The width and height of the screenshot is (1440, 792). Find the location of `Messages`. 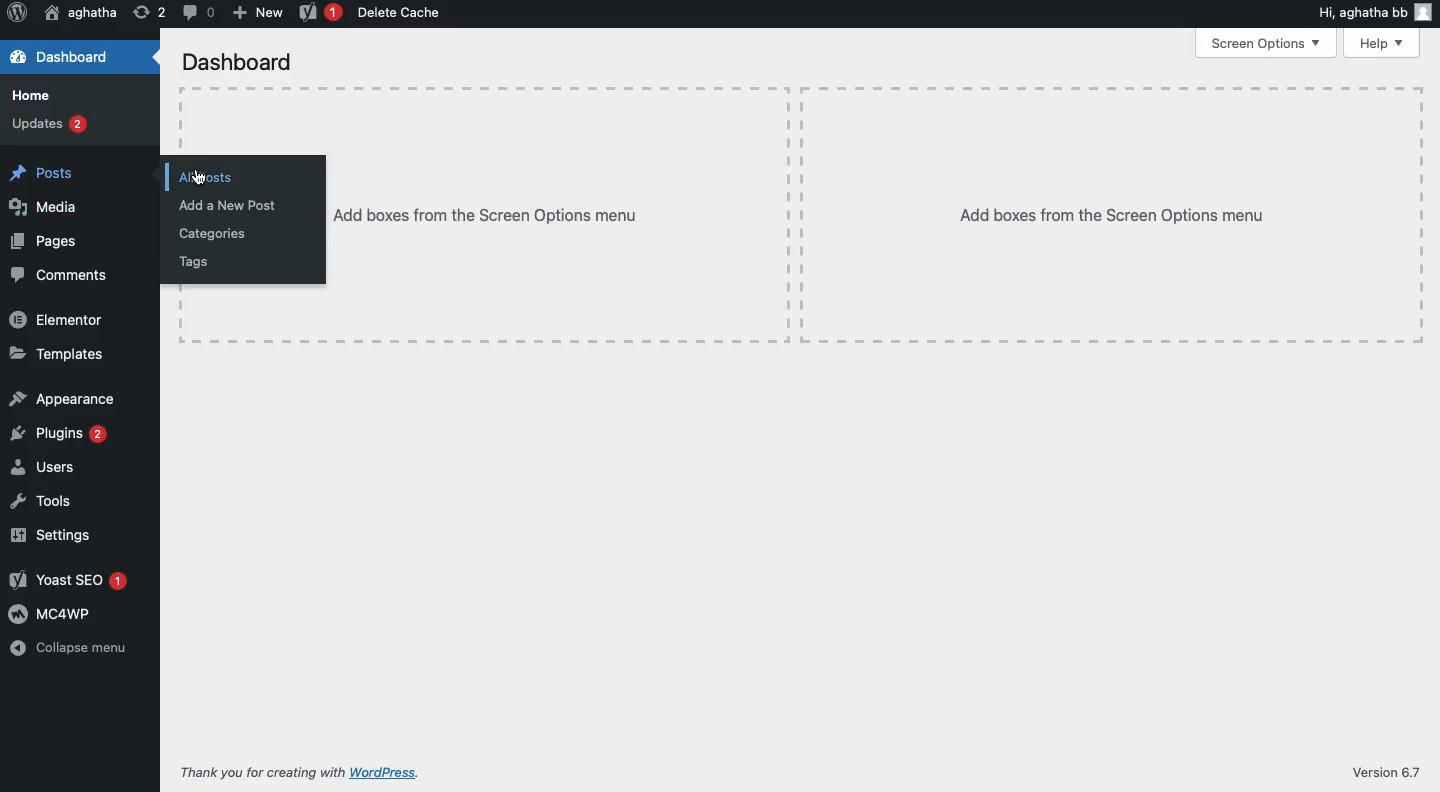

Messages is located at coordinates (196, 12).